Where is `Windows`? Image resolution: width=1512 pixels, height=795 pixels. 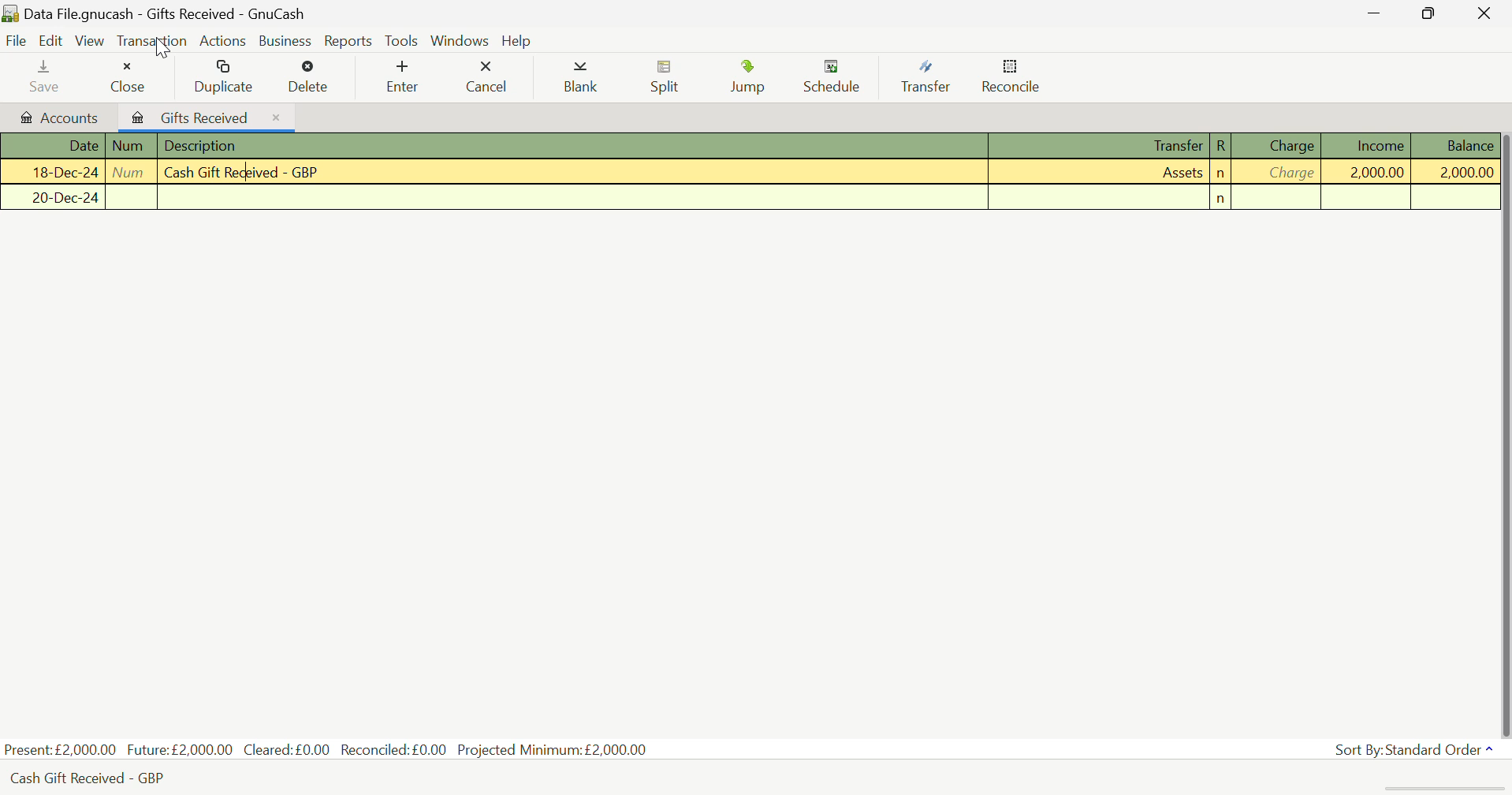 Windows is located at coordinates (460, 39).